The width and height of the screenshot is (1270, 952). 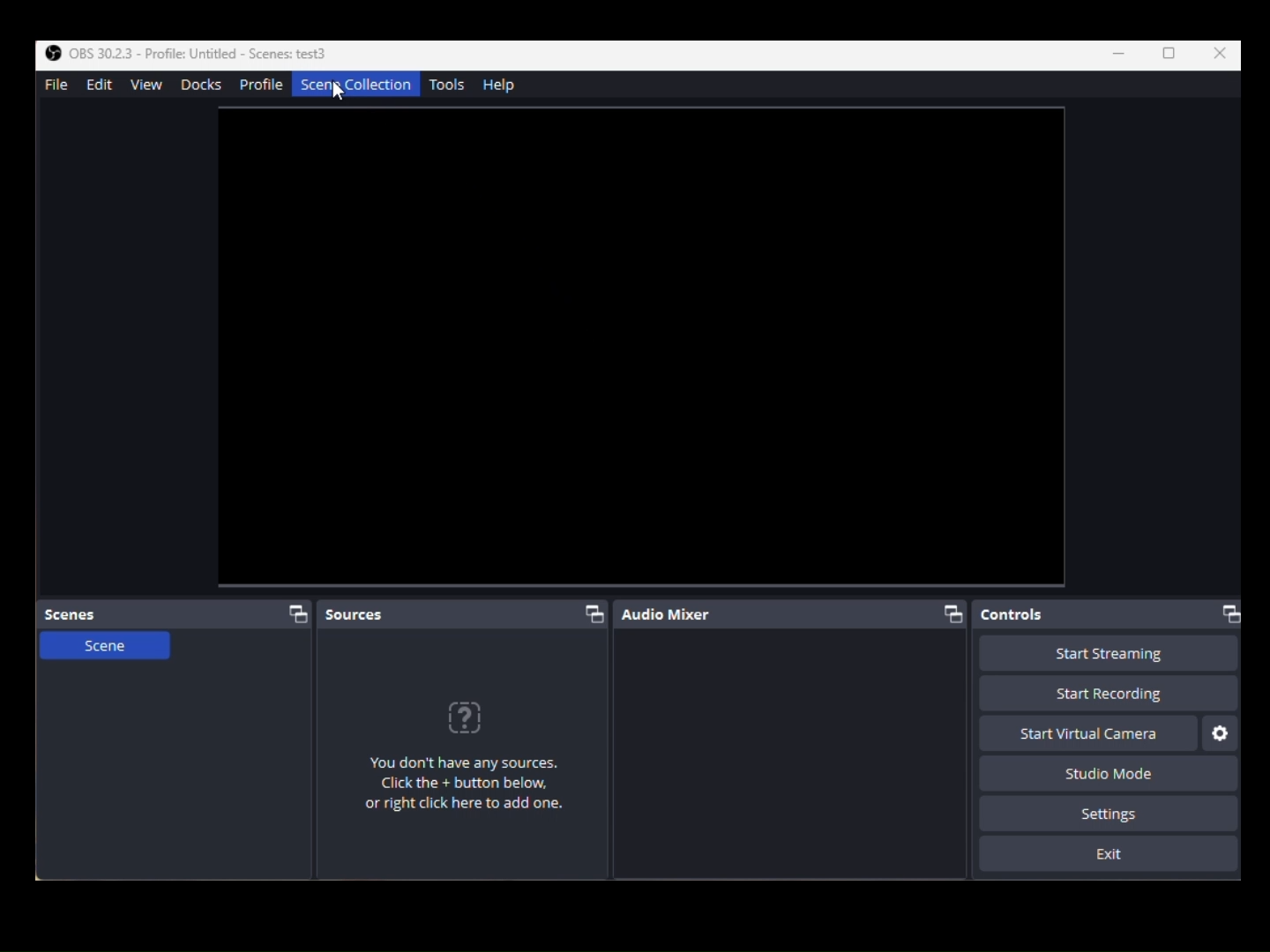 What do you see at coordinates (465, 612) in the screenshot?
I see `Scources` at bounding box center [465, 612].